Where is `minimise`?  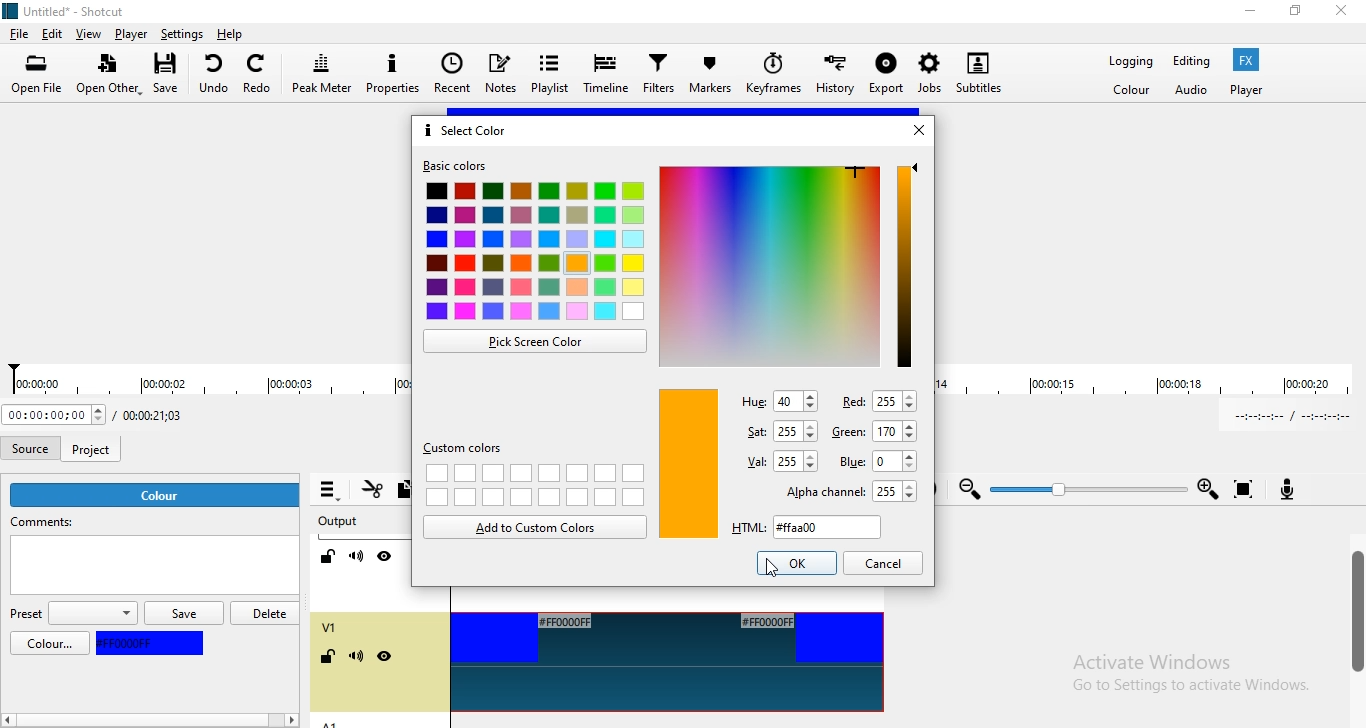 minimise is located at coordinates (1250, 14).